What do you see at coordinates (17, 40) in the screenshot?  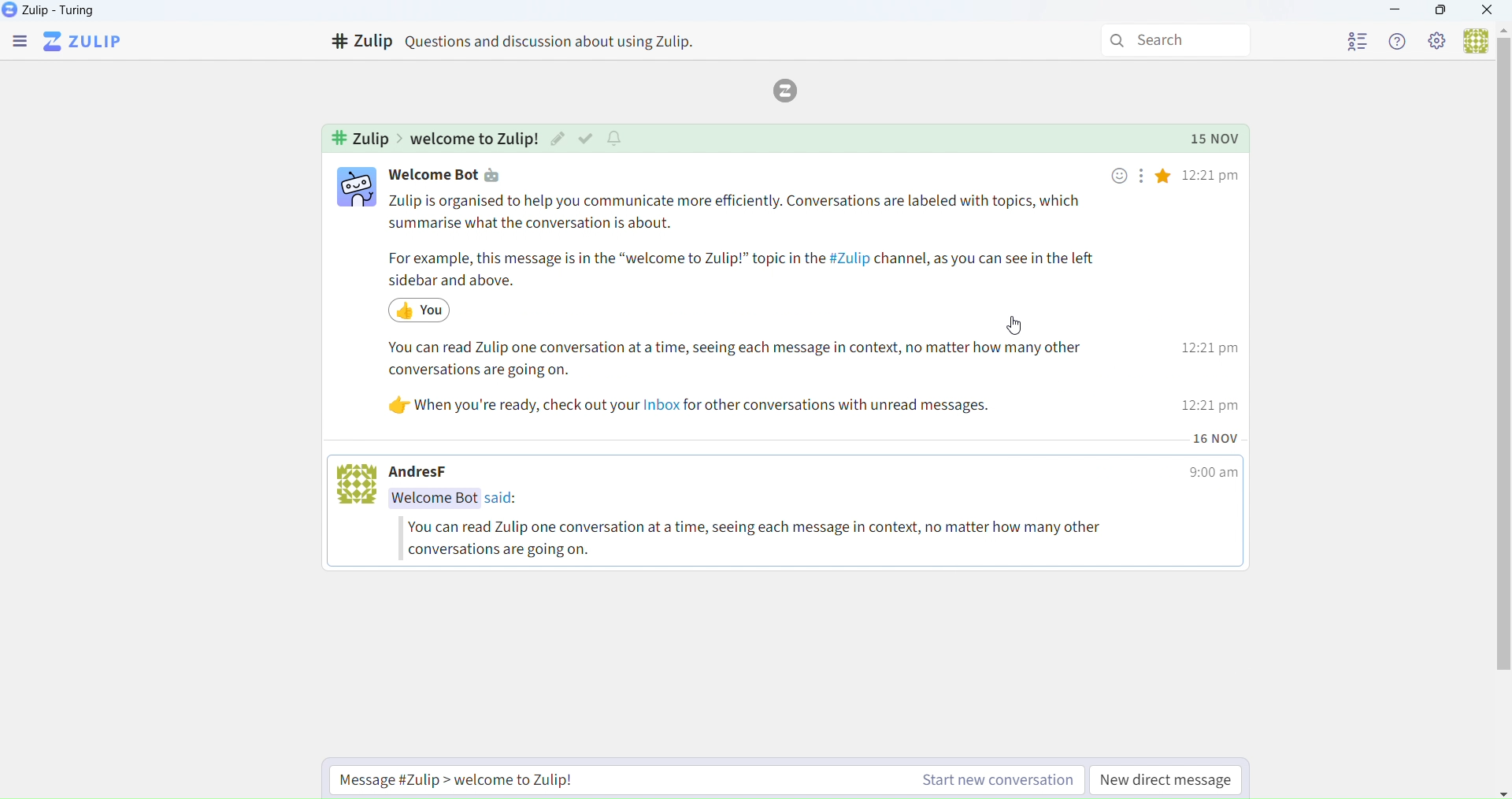 I see `Menu Bar` at bounding box center [17, 40].